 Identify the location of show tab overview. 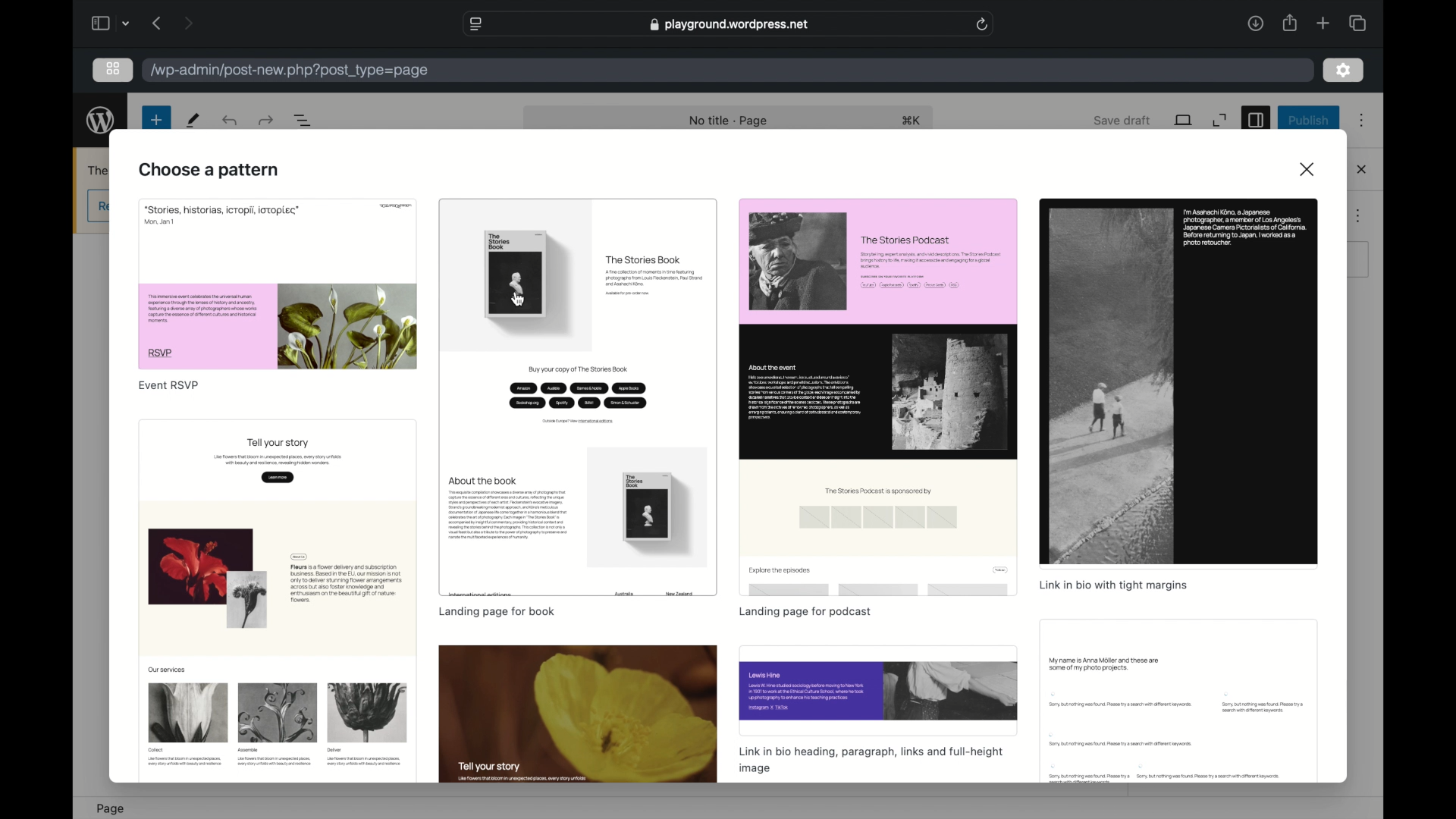
(1357, 23).